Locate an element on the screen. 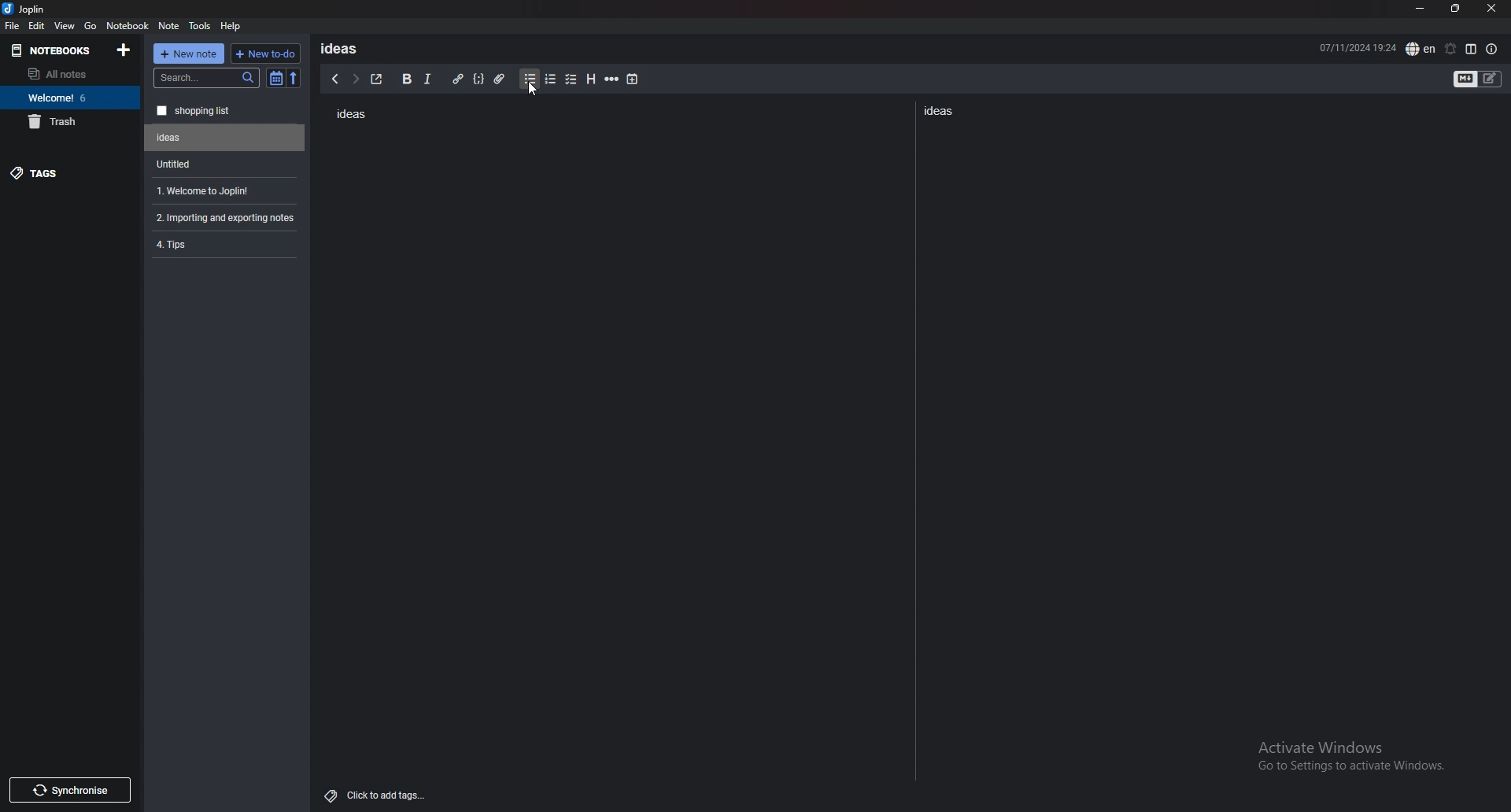 This screenshot has height=812, width=1511. Untitled is located at coordinates (221, 164).